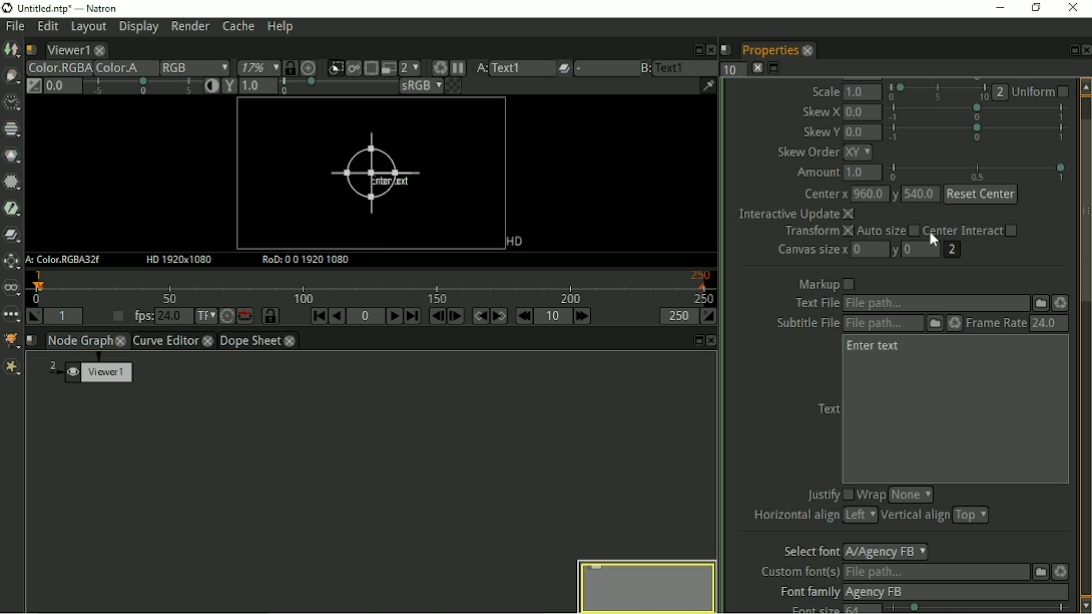 The width and height of the screenshot is (1092, 614). I want to click on Skew Y, so click(820, 132).